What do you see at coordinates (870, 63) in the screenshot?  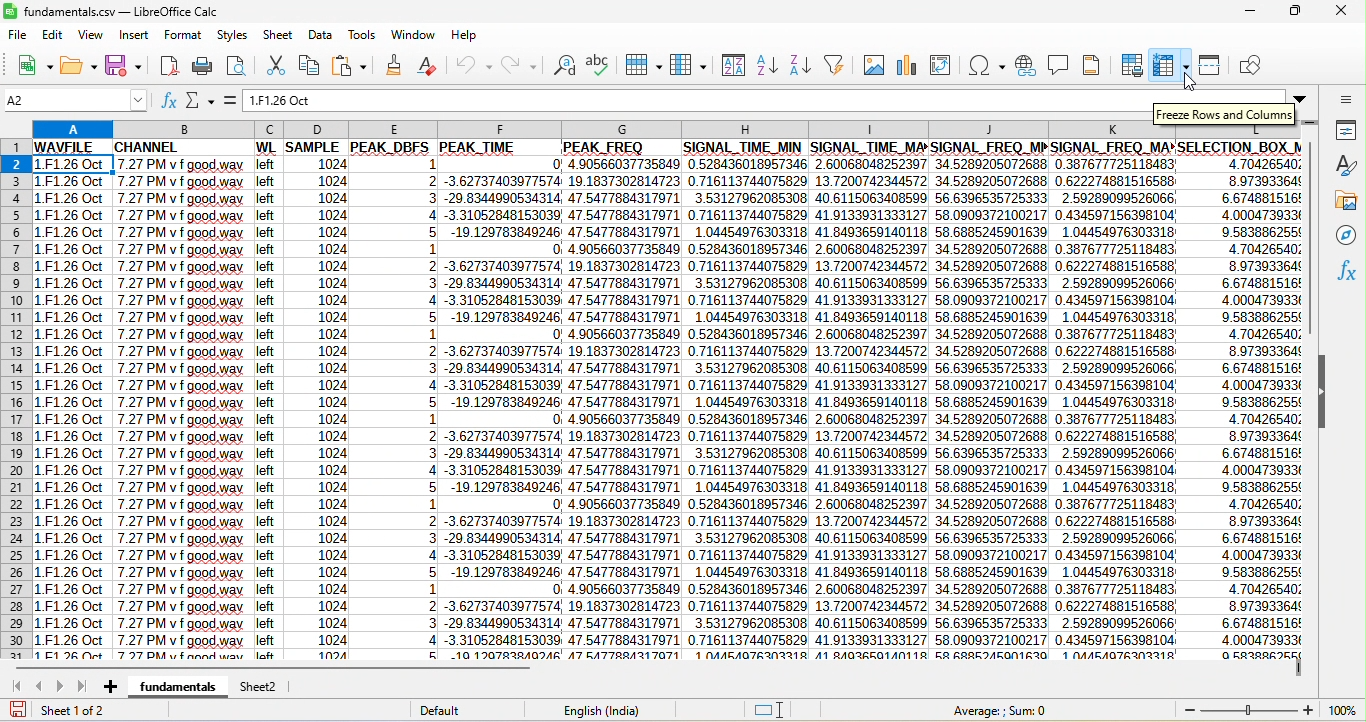 I see `image` at bounding box center [870, 63].